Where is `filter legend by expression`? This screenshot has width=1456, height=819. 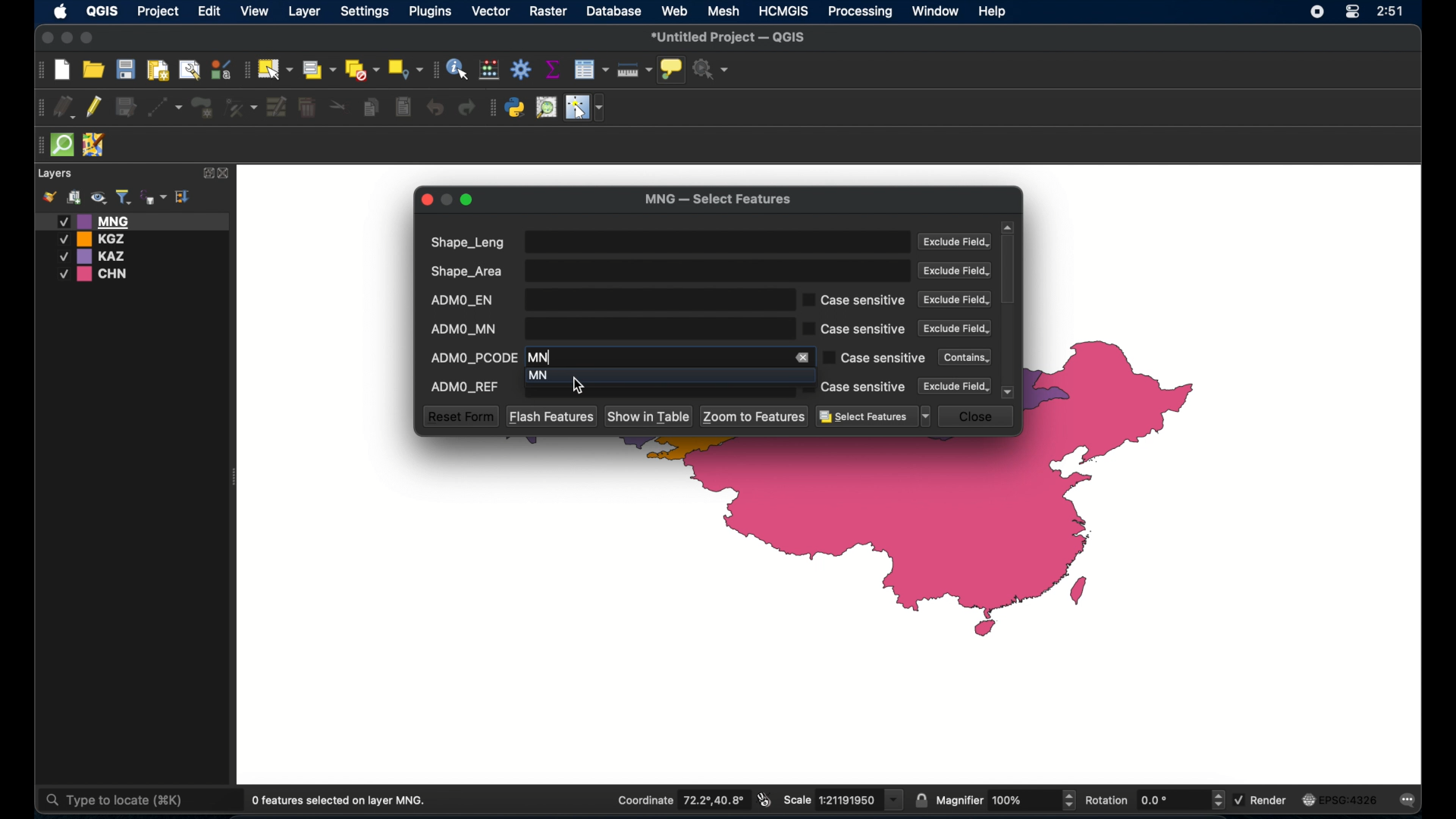 filter legend by expression is located at coordinates (154, 196).